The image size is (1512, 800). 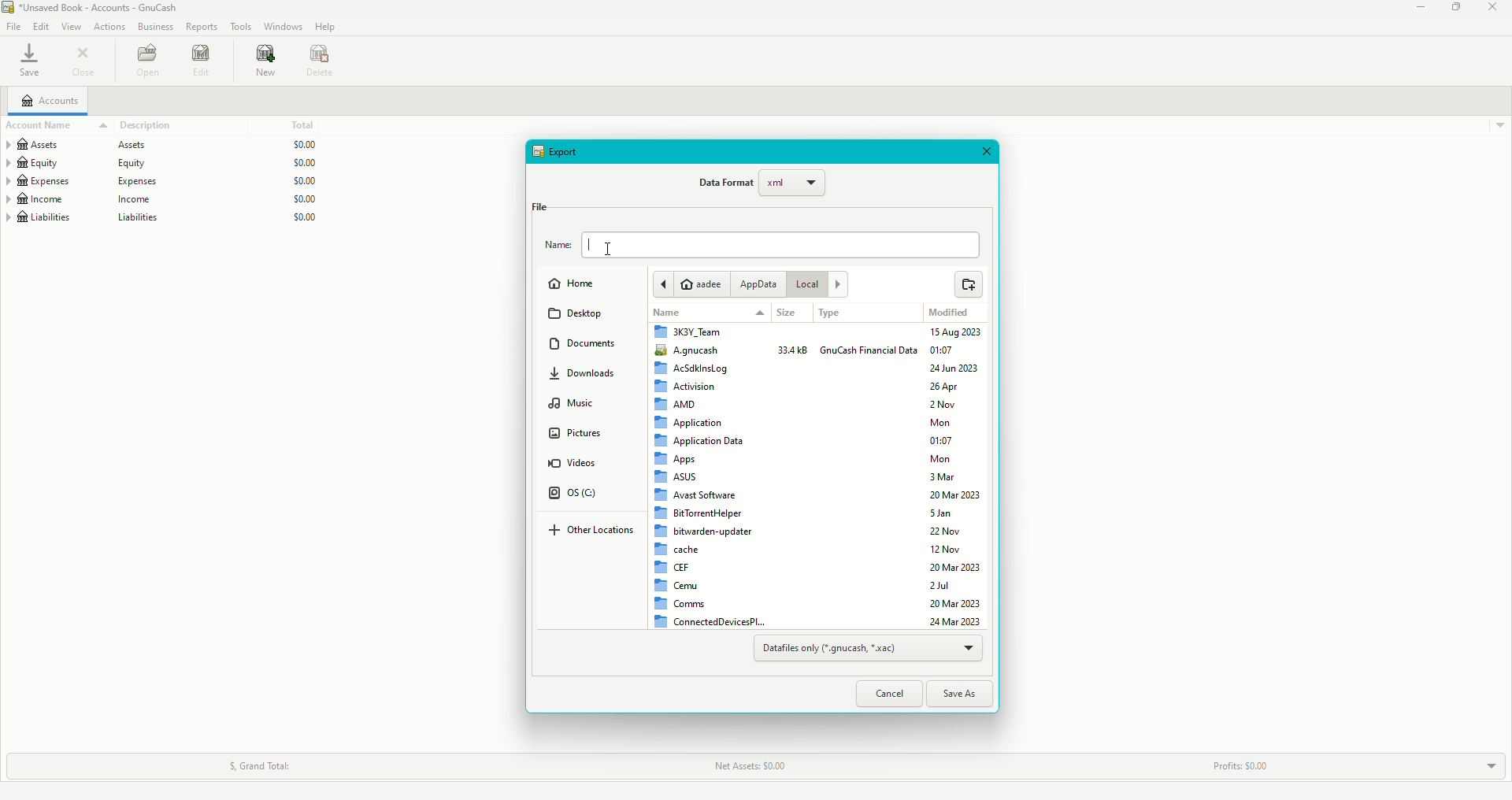 What do you see at coordinates (762, 246) in the screenshot?
I see `File name` at bounding box center [762, 246].